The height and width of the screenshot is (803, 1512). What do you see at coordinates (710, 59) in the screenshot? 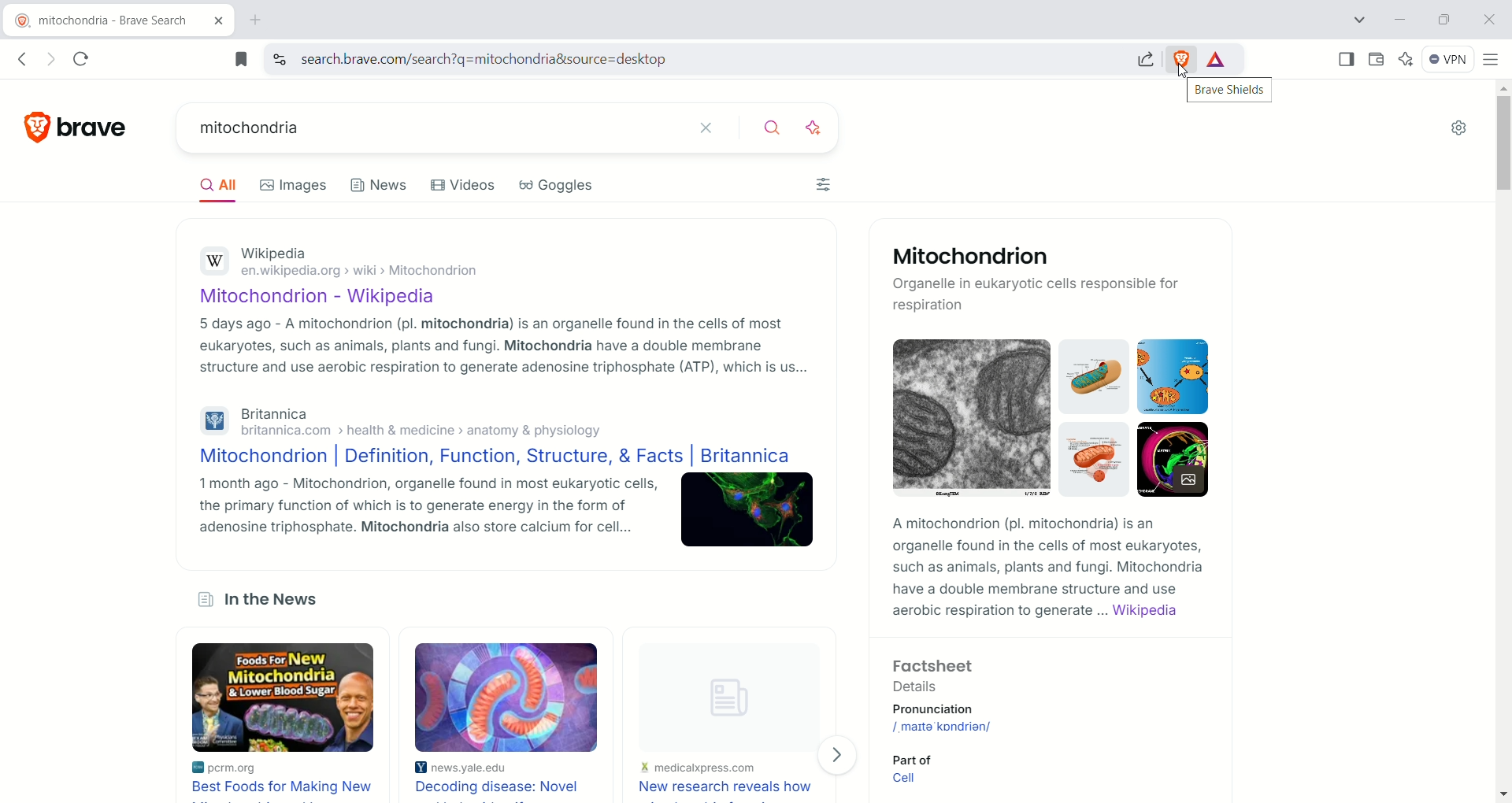
I see `search.brave.com/search?q=mitochondria&source=desktop` at bounding box center [710, 59].